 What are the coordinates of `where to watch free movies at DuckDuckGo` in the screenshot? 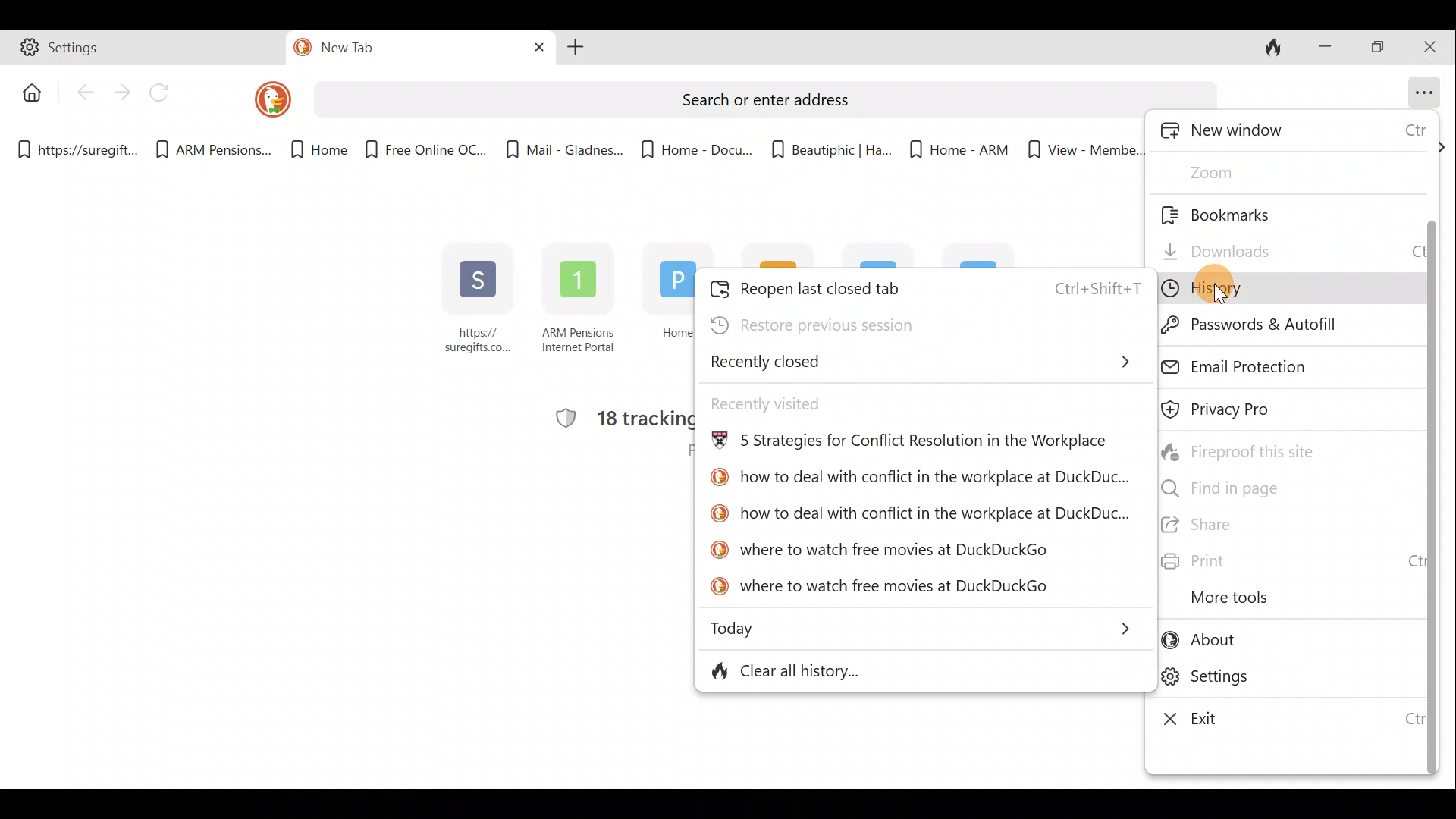 It's located at (882, 588).